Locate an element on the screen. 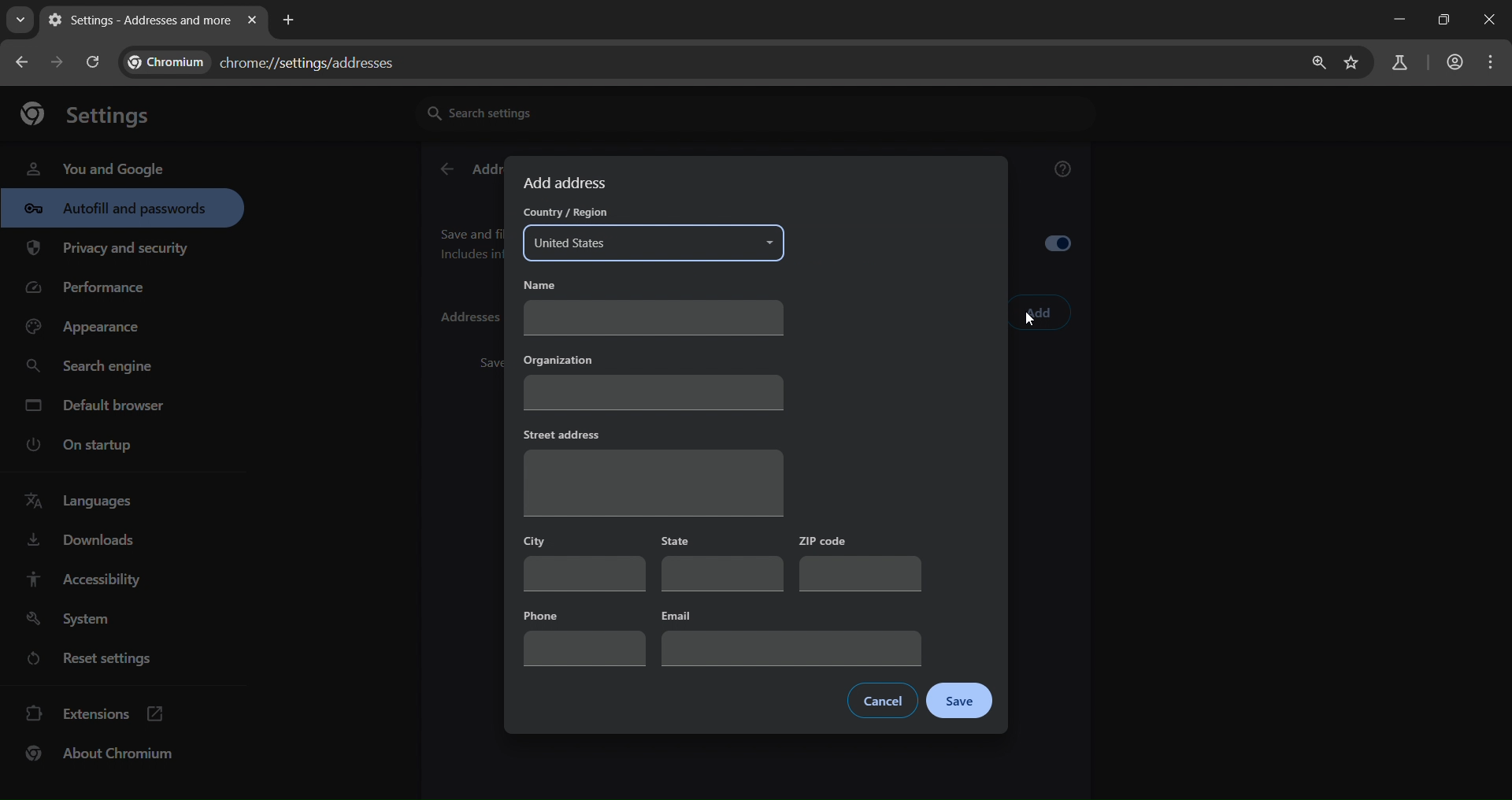 The height and width of the screenshot is (800, 1512). autofill & passwords is located at coordinates (122, 208).